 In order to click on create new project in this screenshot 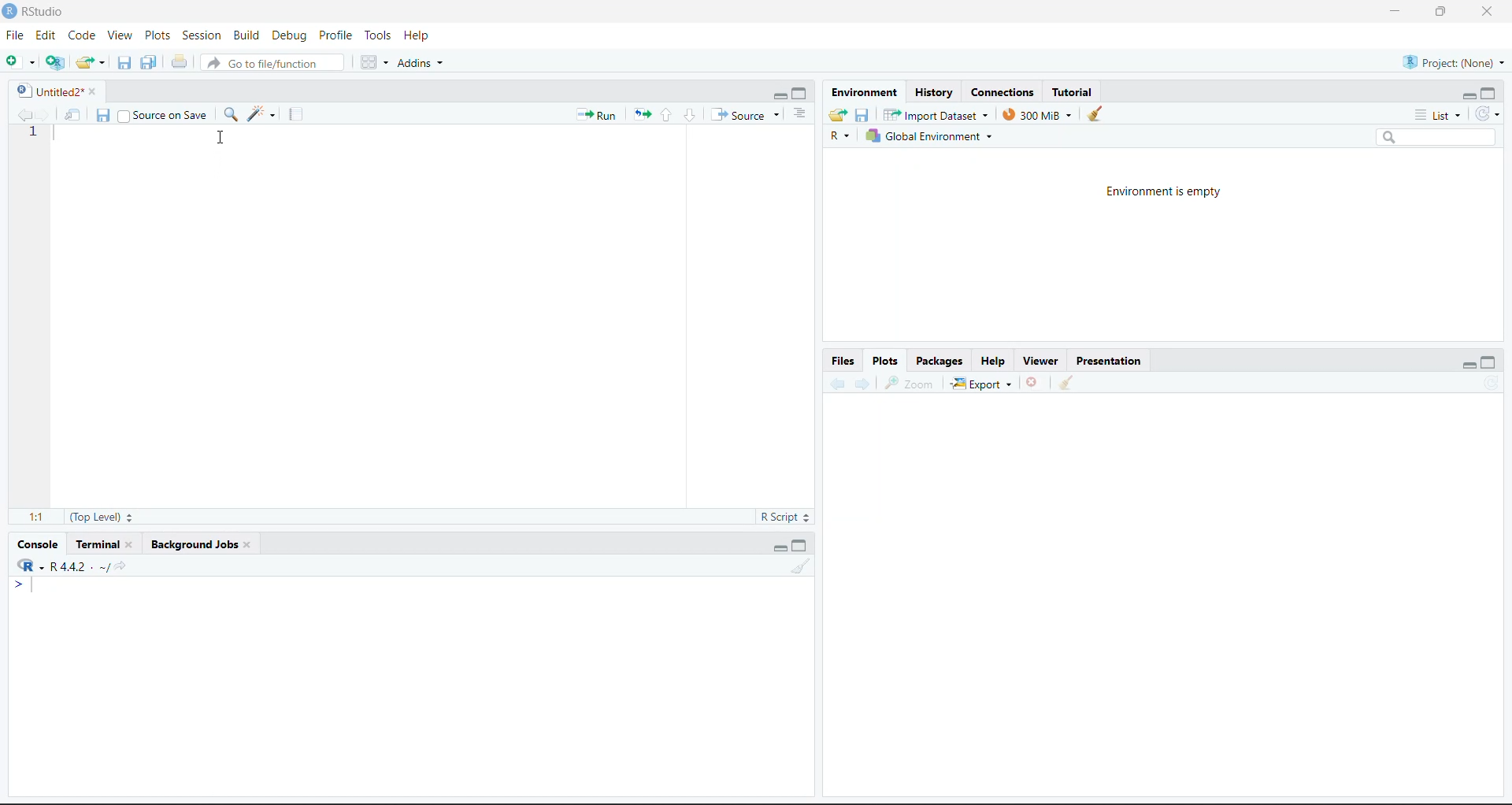, I will do `click(54, 63)`.